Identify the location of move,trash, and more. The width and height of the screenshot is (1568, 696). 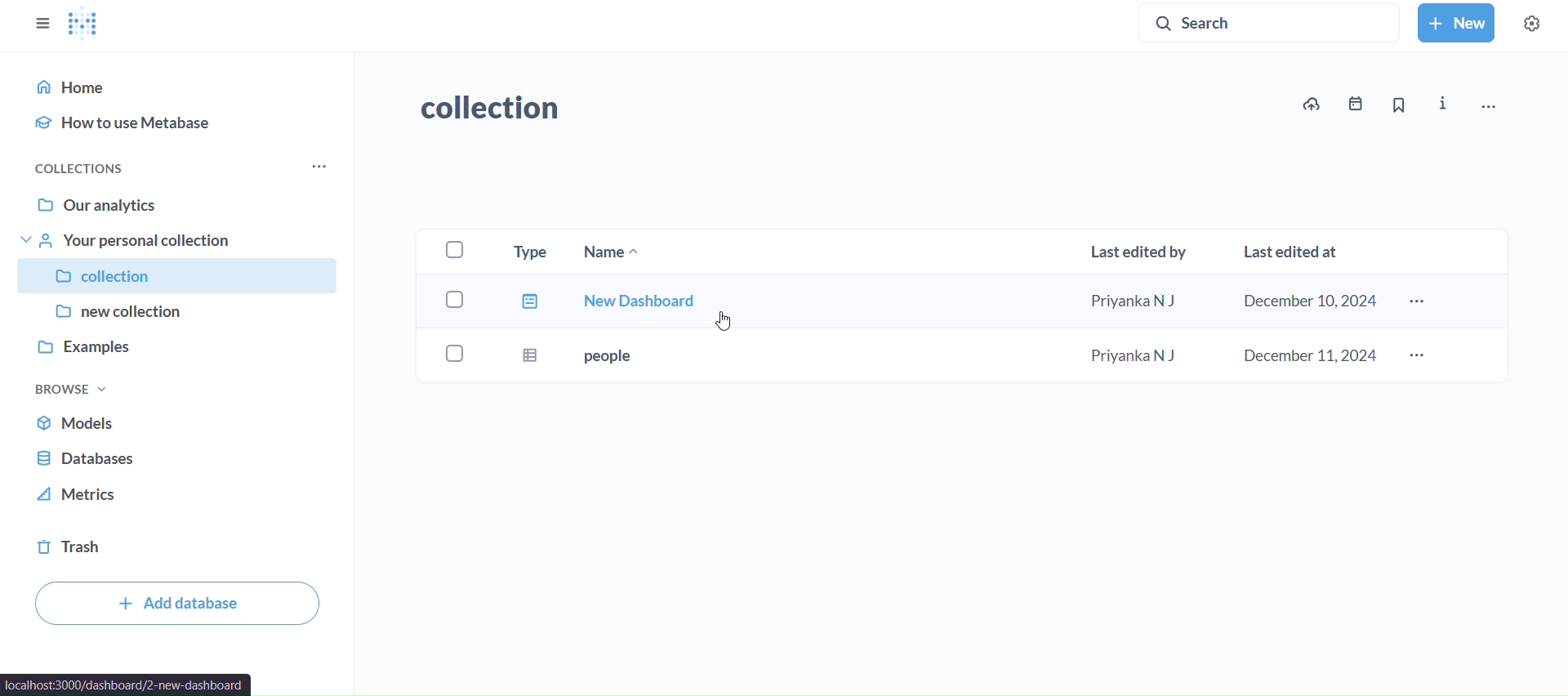
(1495, 106).